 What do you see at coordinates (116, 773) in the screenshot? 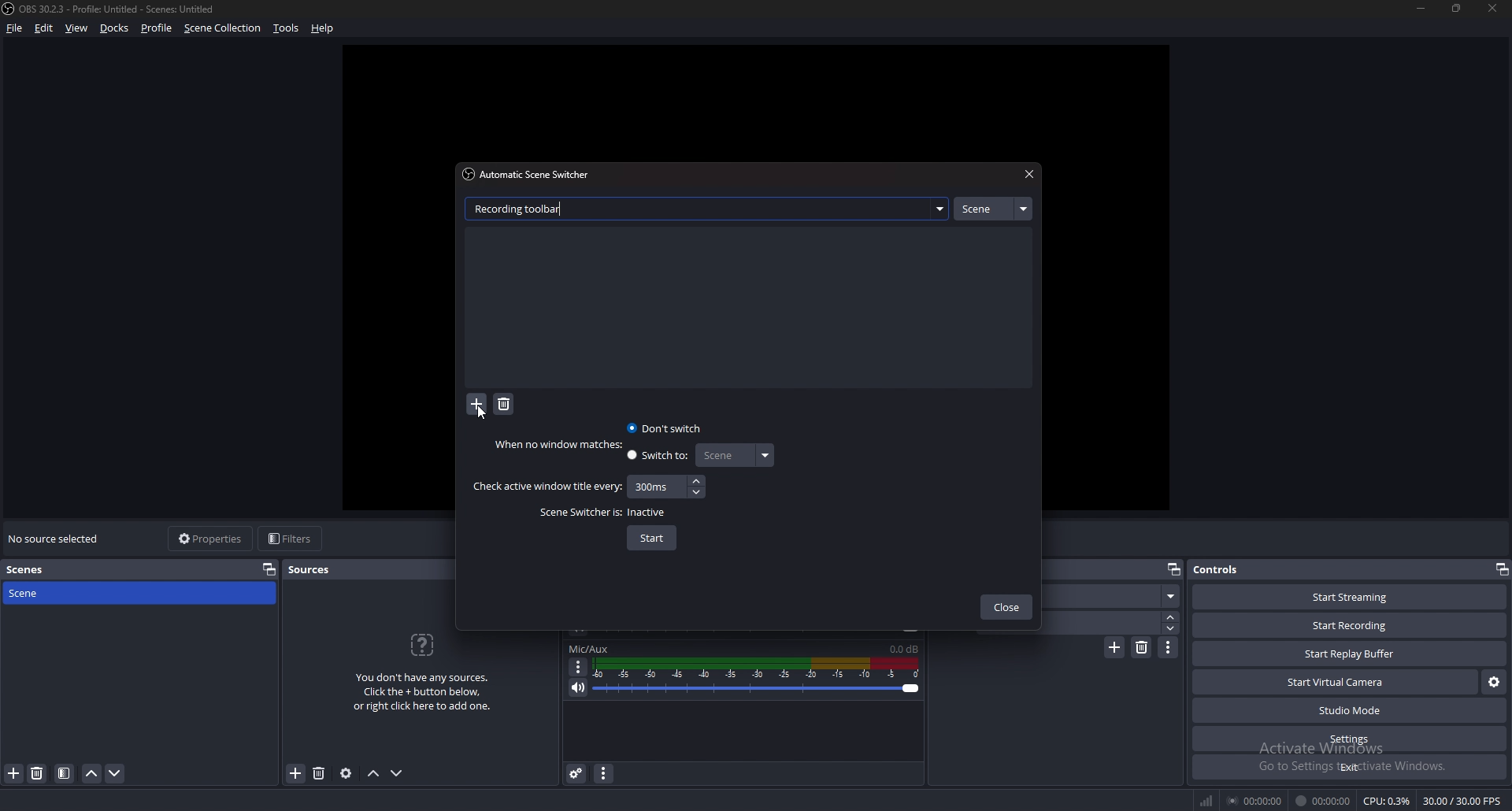
I see `move scene down` at bounding box center [116, 773].